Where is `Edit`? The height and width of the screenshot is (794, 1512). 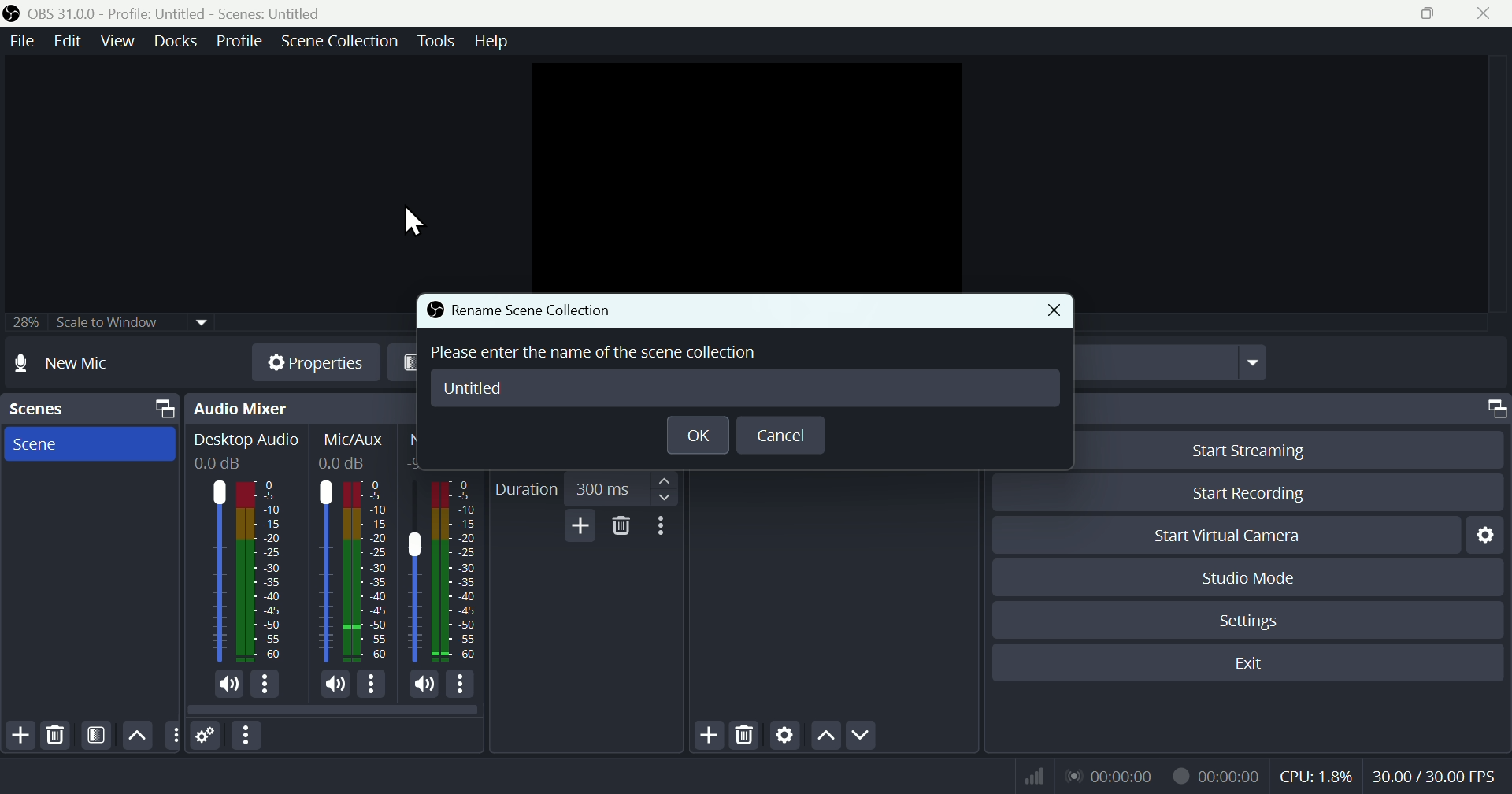
Edit is located at coordinates (61, 43).